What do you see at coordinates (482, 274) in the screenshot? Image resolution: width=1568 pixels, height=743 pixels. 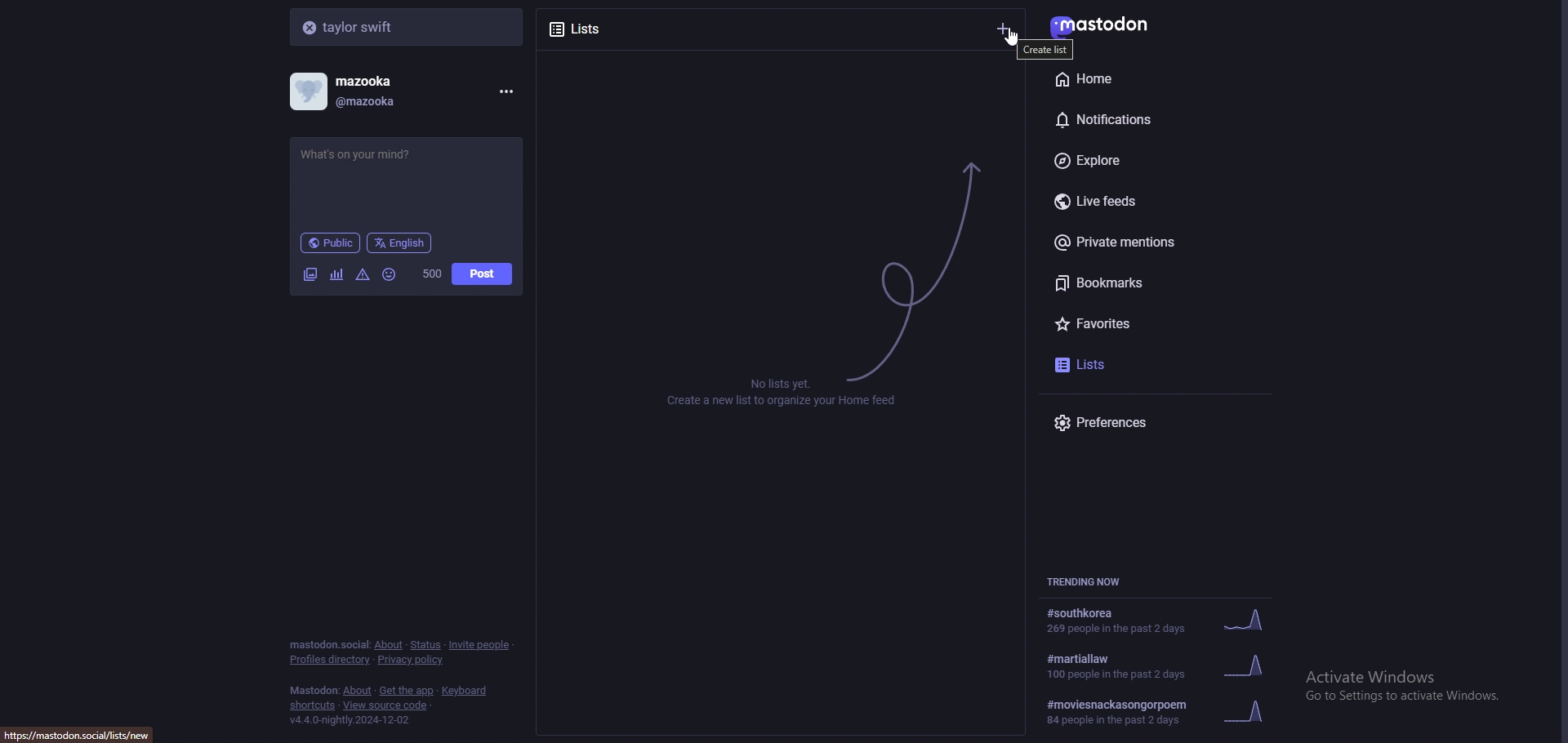 I see `post` at bounding box center [482, 274].